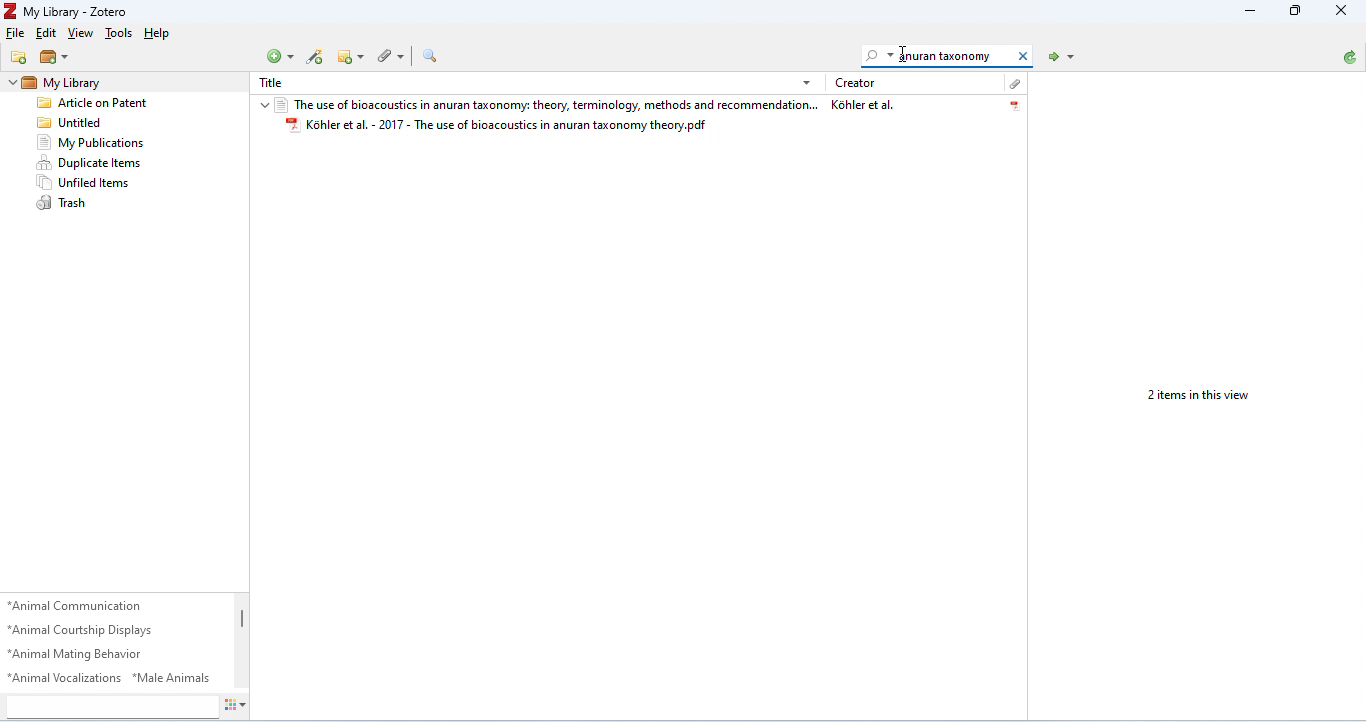 Image resolution: width=1366 pixels, height=722 pixels. I want to click on New Item, so click(280, 56).